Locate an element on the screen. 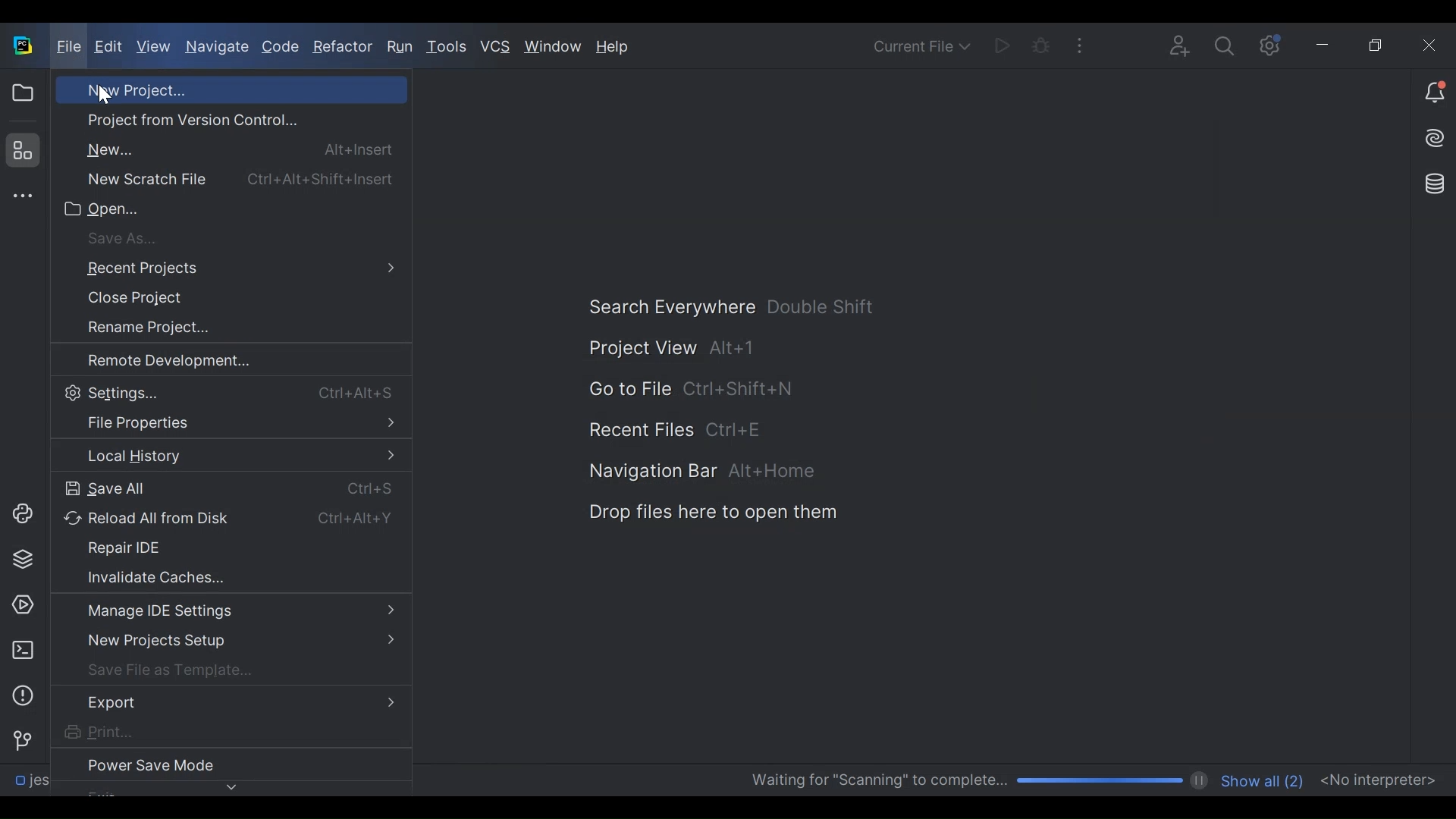 Image resolution: width=1456 pixels, height=819 pixels. Manage IDE Settings is located at coordinates (228, 613).